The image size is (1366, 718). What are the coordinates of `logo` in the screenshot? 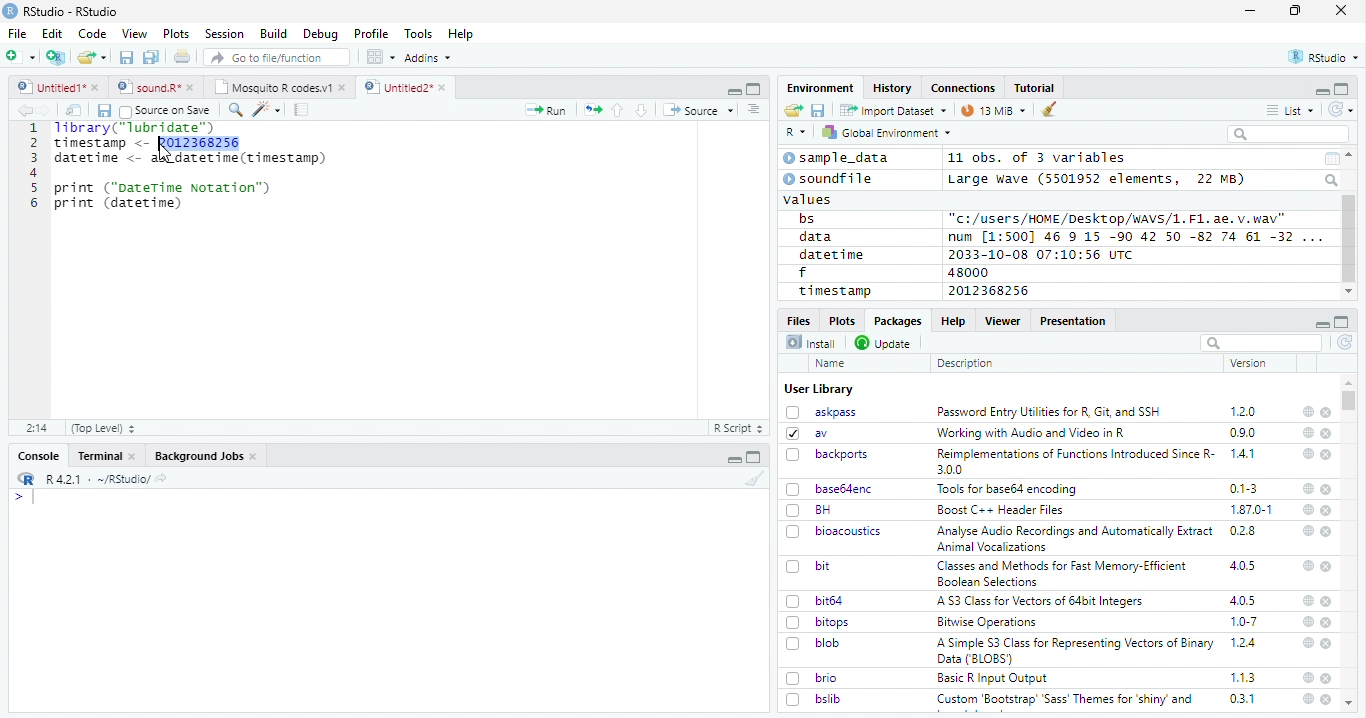 It's located at (10, 11).